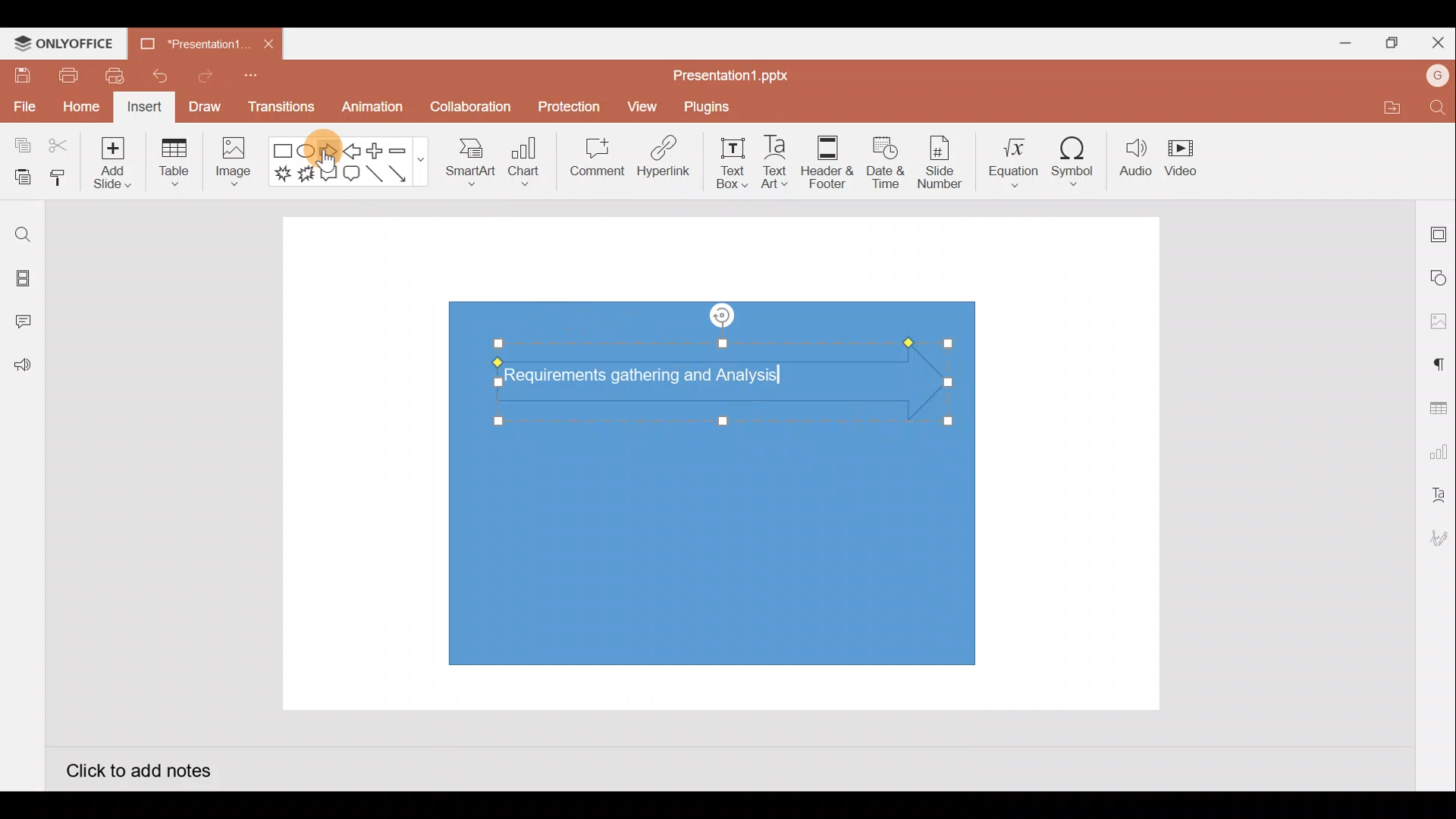 The width and height of the screenshot is (1456, 819). What do you see at coordinates (23, 234) in the screenshot?
I see `Find` at bounding box center [23, 234].